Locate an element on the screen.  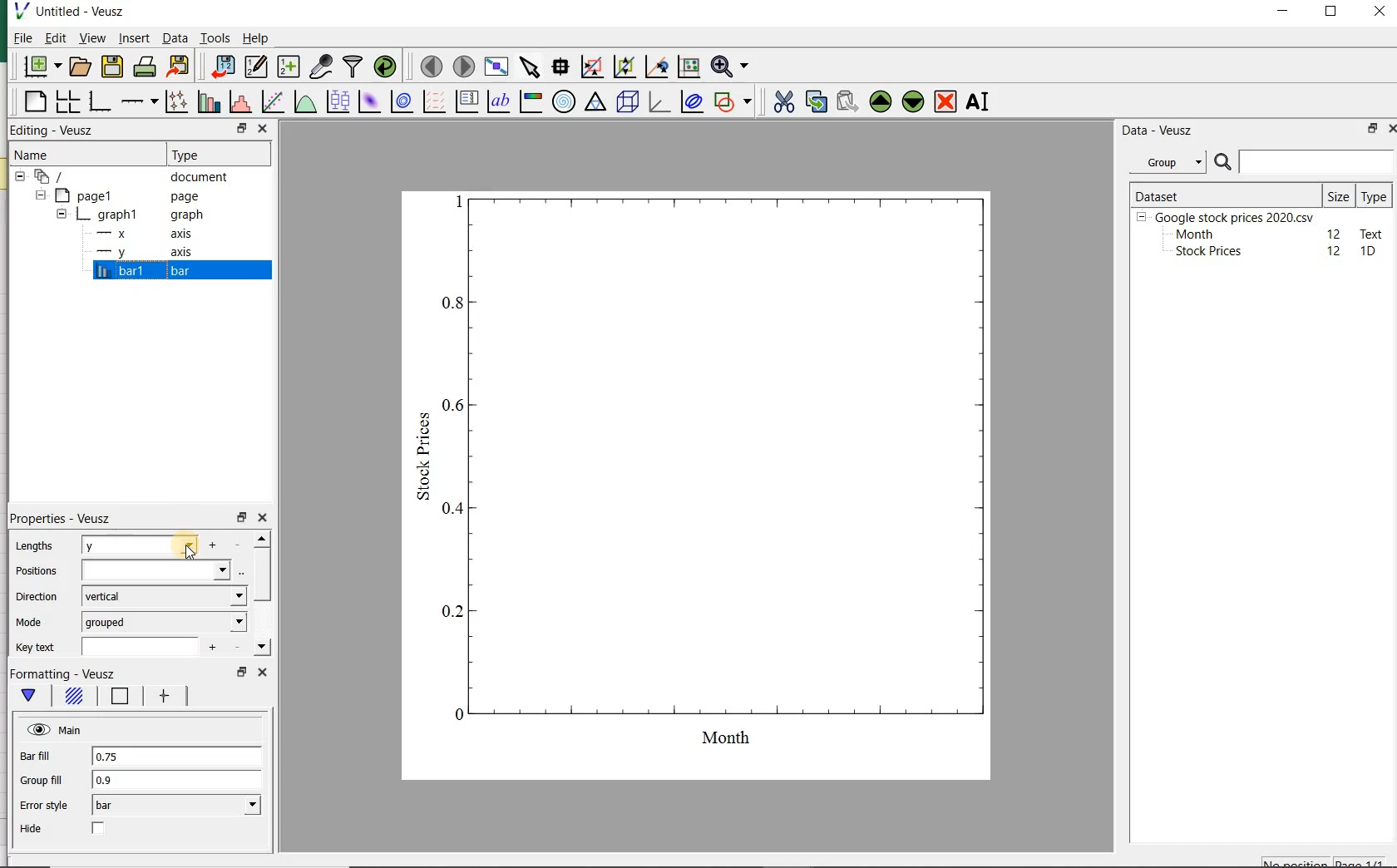
input field is located at coordinates (159, 570).